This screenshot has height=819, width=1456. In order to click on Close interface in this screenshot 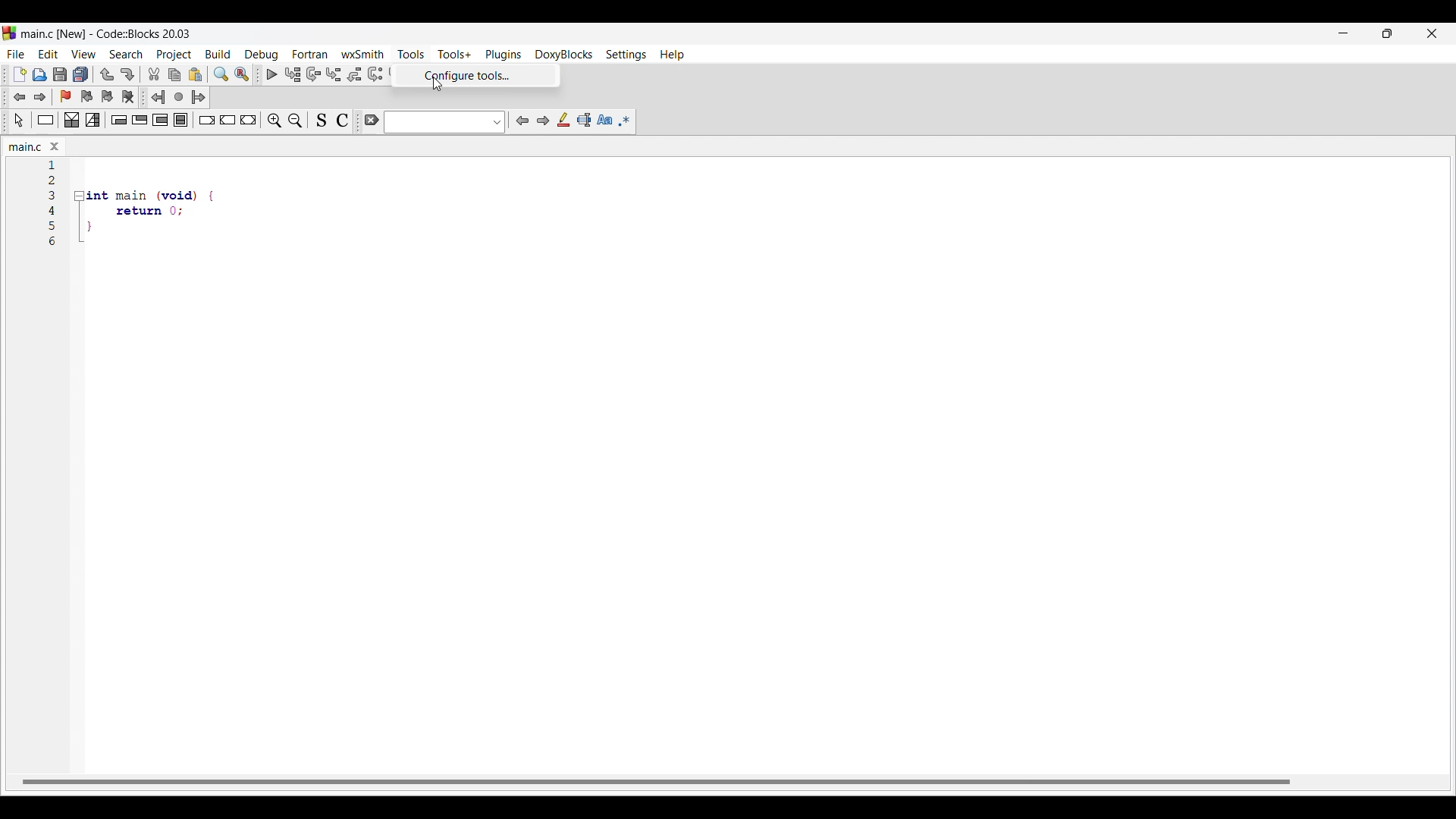, I will do `click(1432, 33)`.